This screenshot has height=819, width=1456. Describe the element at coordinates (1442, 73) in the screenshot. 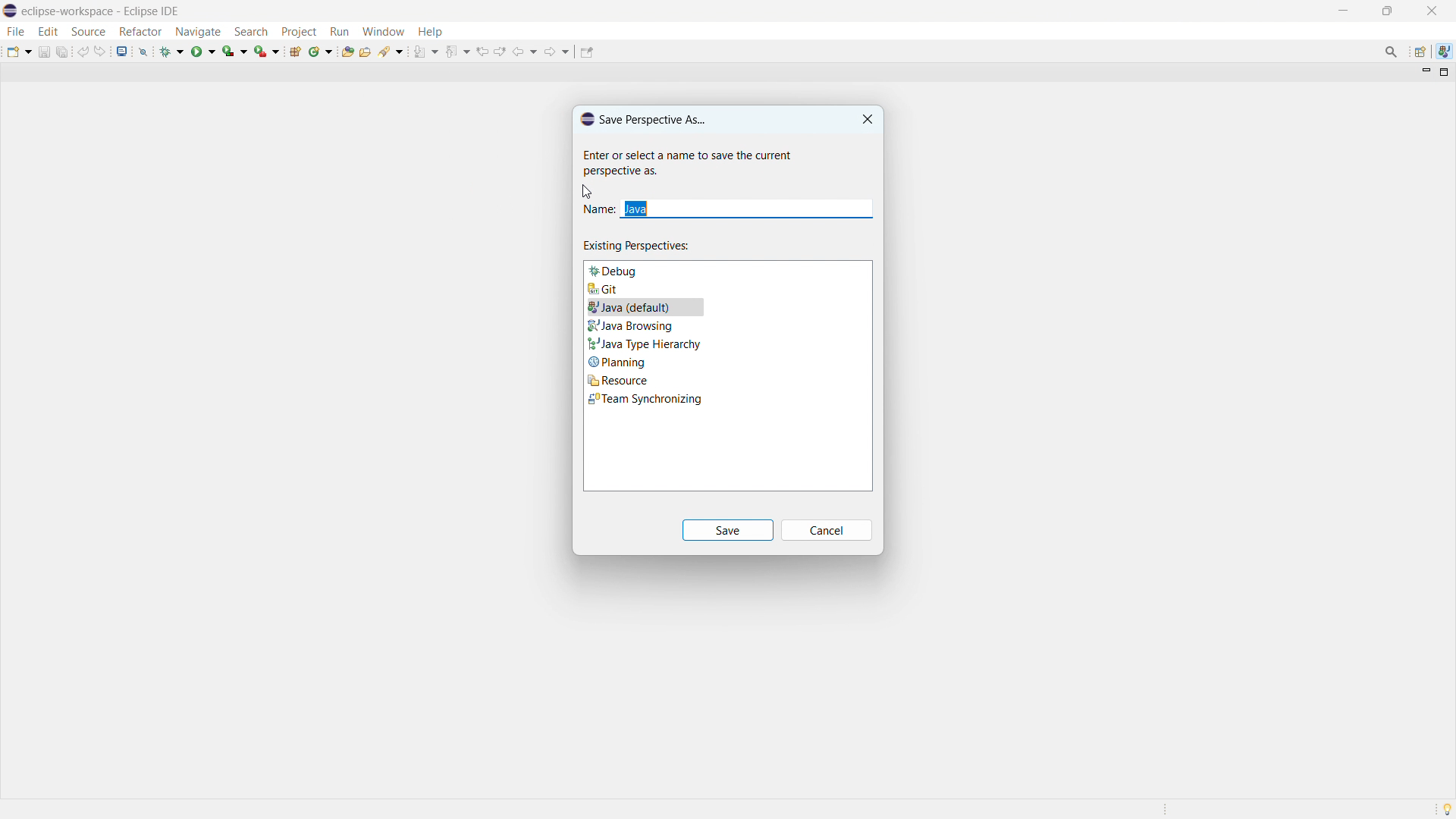

I see `maximize view` at that location.